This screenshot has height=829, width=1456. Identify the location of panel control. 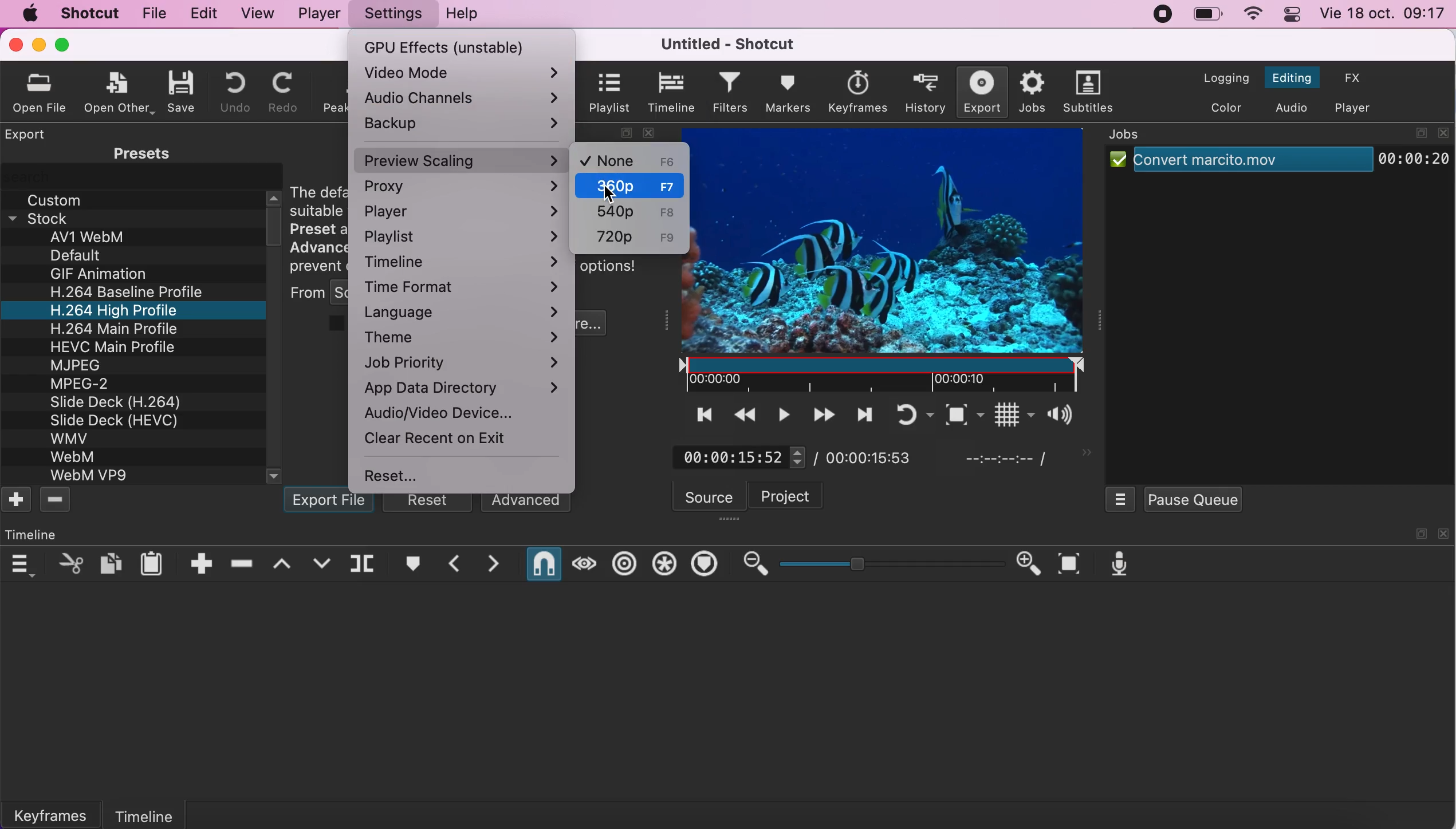
(1293, 14).